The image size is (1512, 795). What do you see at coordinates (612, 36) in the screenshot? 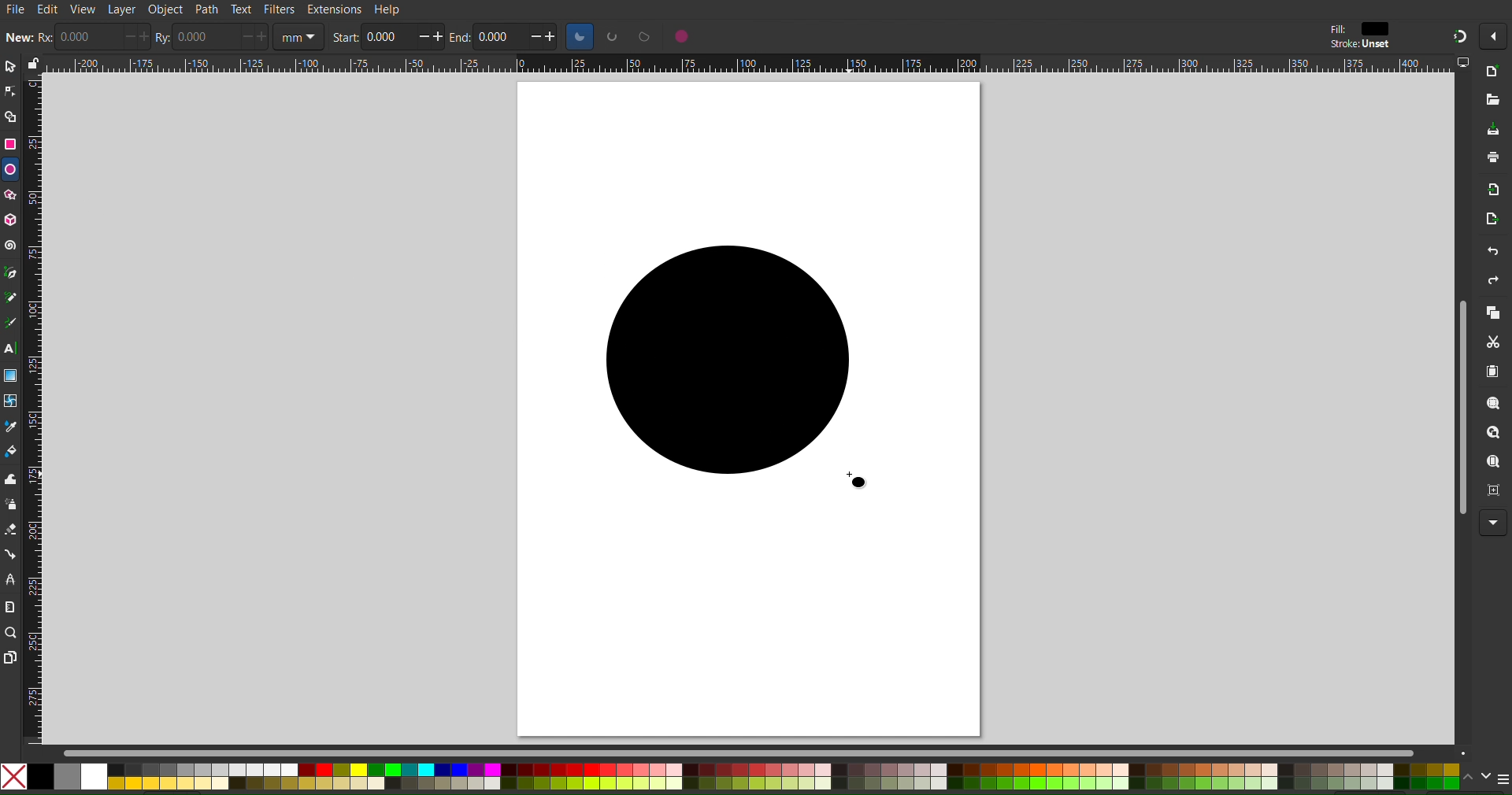
I see `circle options` at bounding box center [612, 36].